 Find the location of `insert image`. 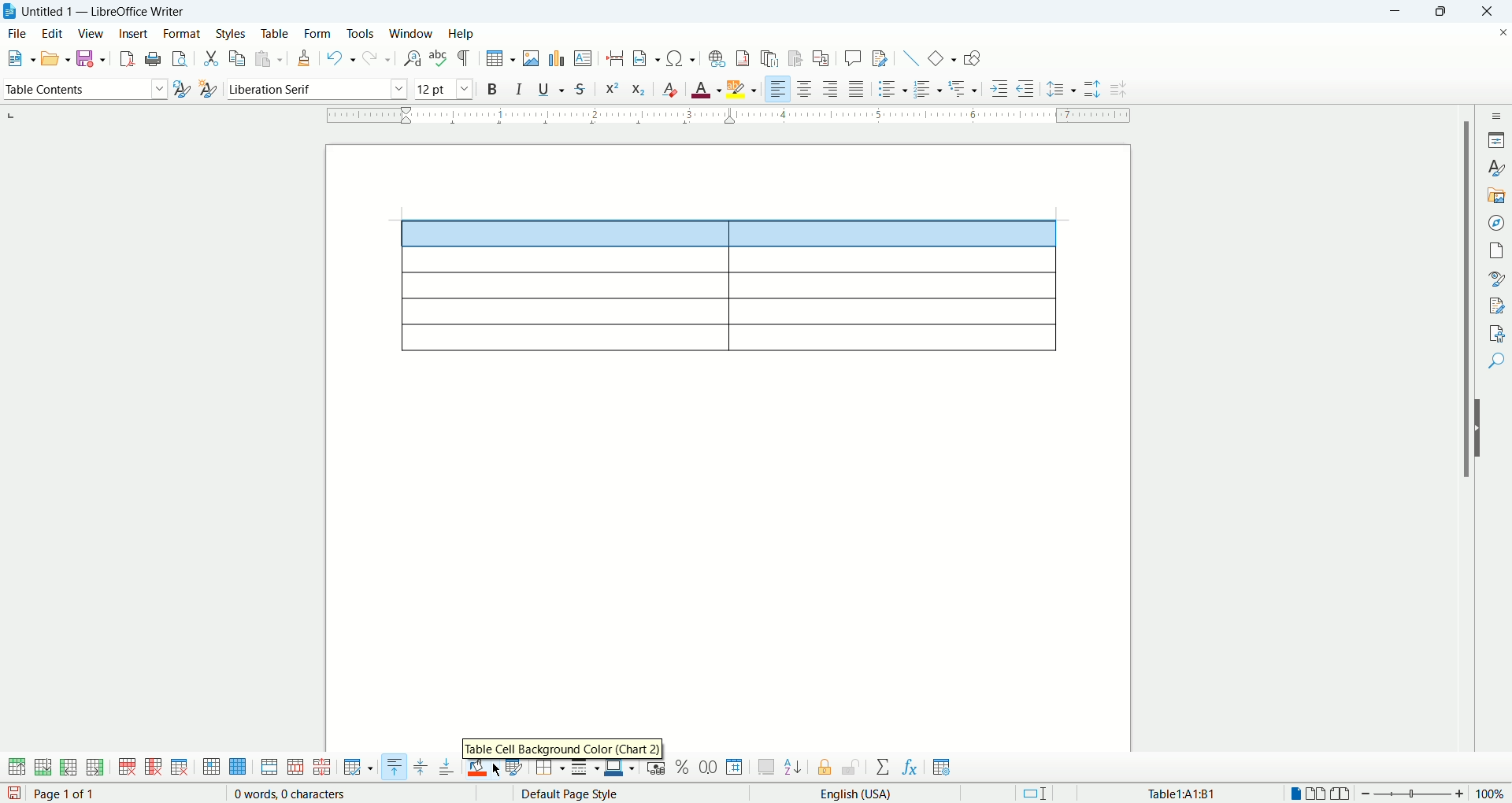

insert image is located at coordinates (532, 58).